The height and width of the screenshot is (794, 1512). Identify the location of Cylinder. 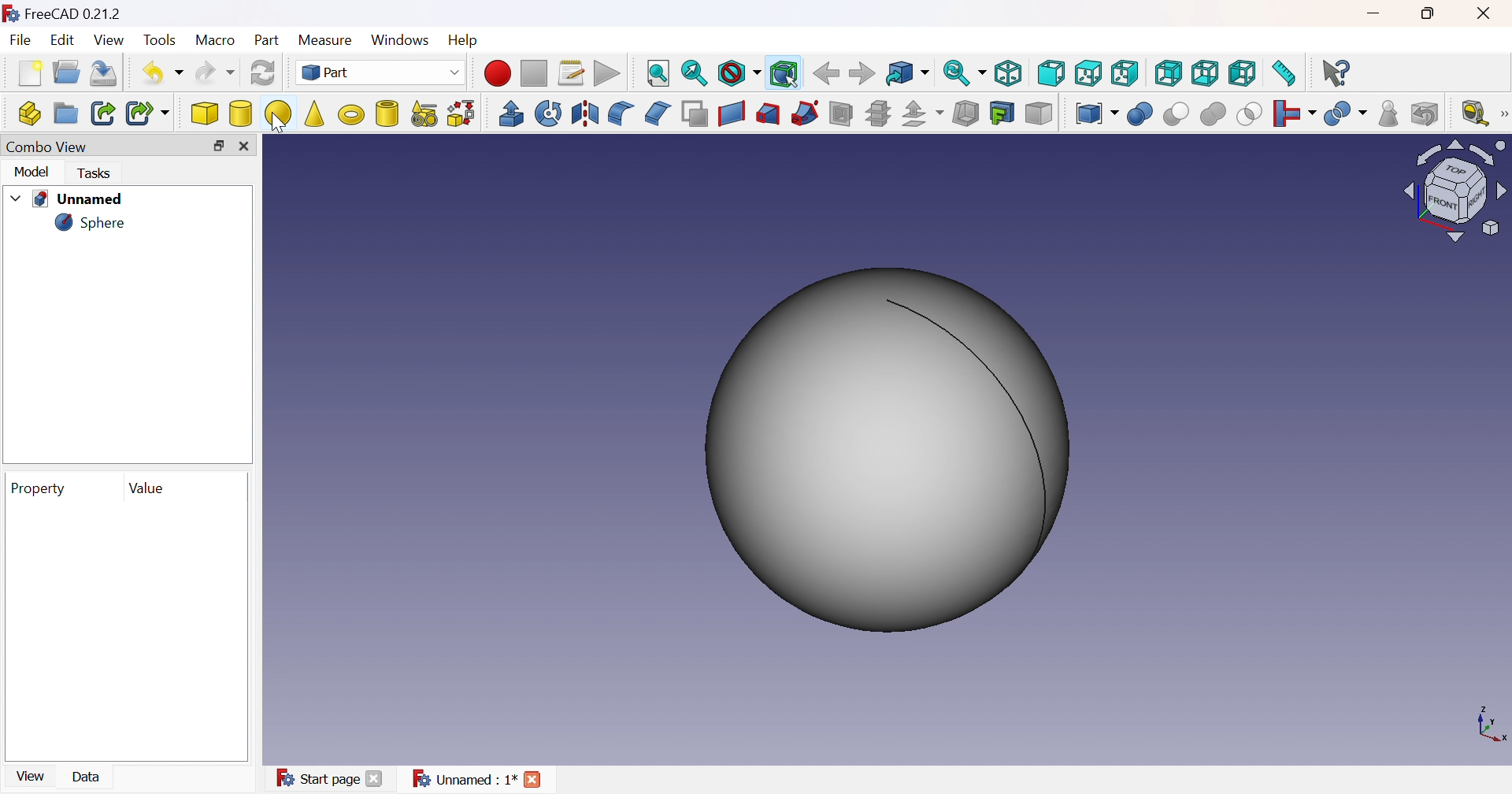
(241, 113).